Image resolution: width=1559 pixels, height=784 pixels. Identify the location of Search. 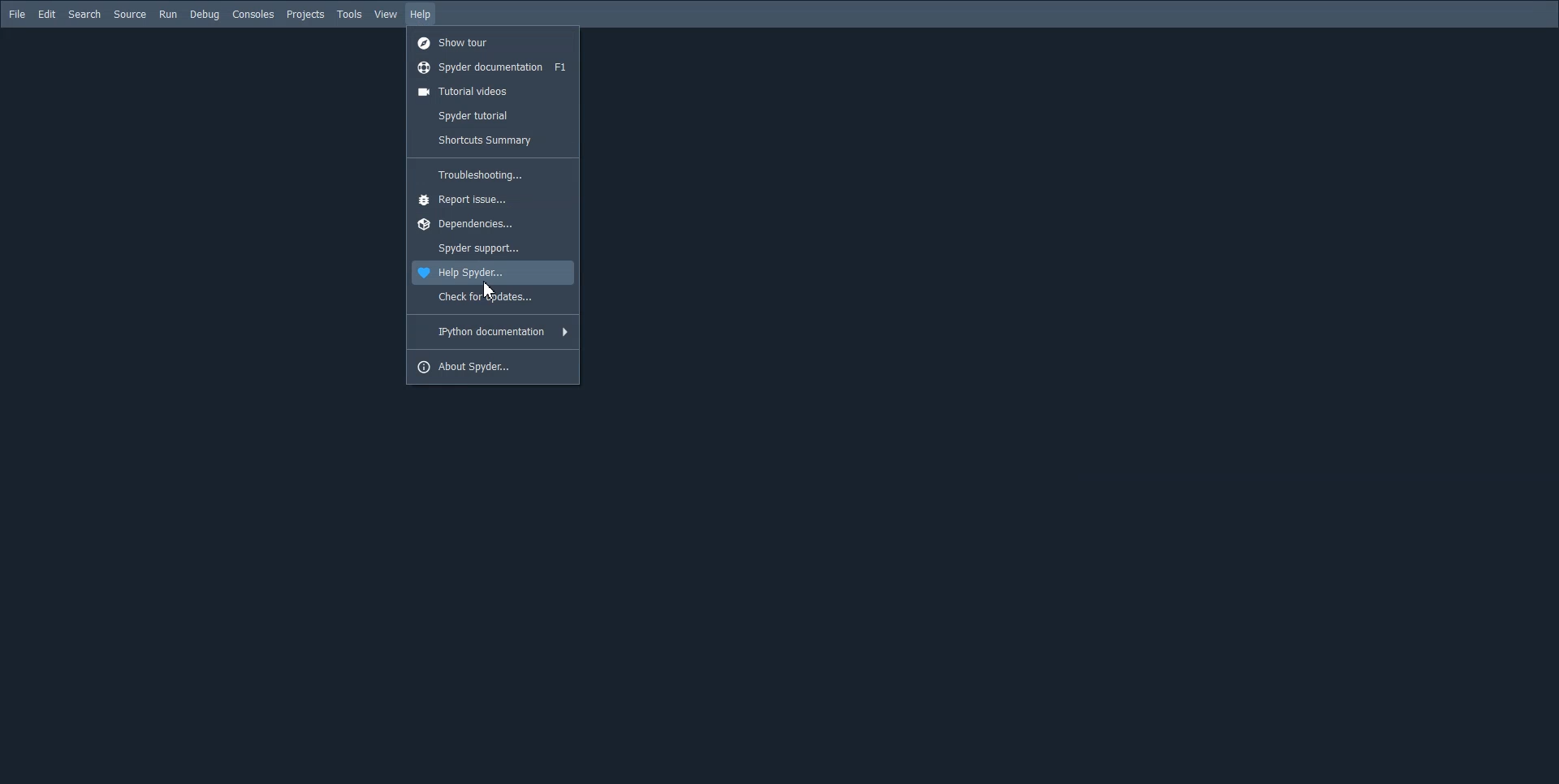
(85, 14).